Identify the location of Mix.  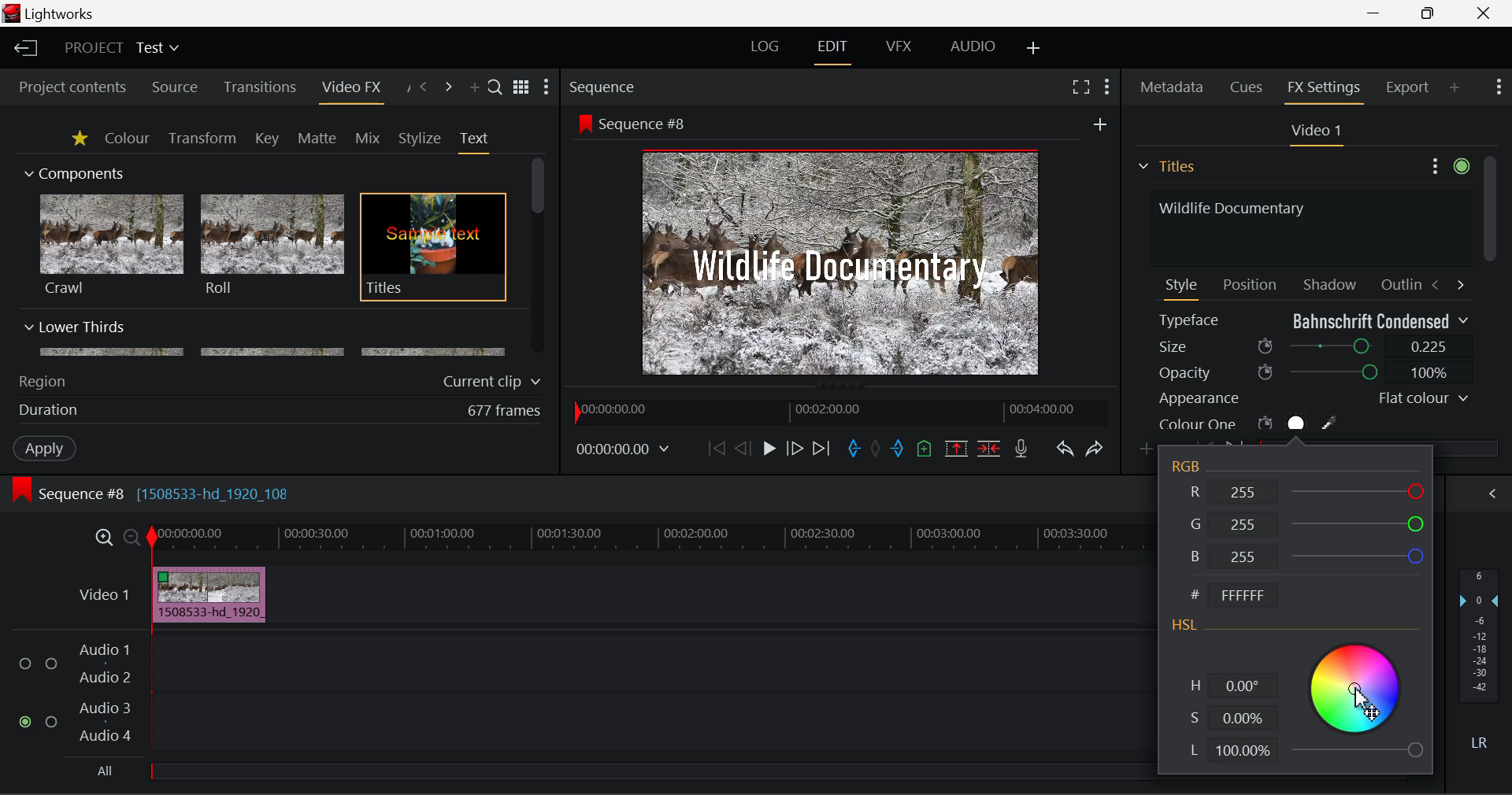
(367, 139).